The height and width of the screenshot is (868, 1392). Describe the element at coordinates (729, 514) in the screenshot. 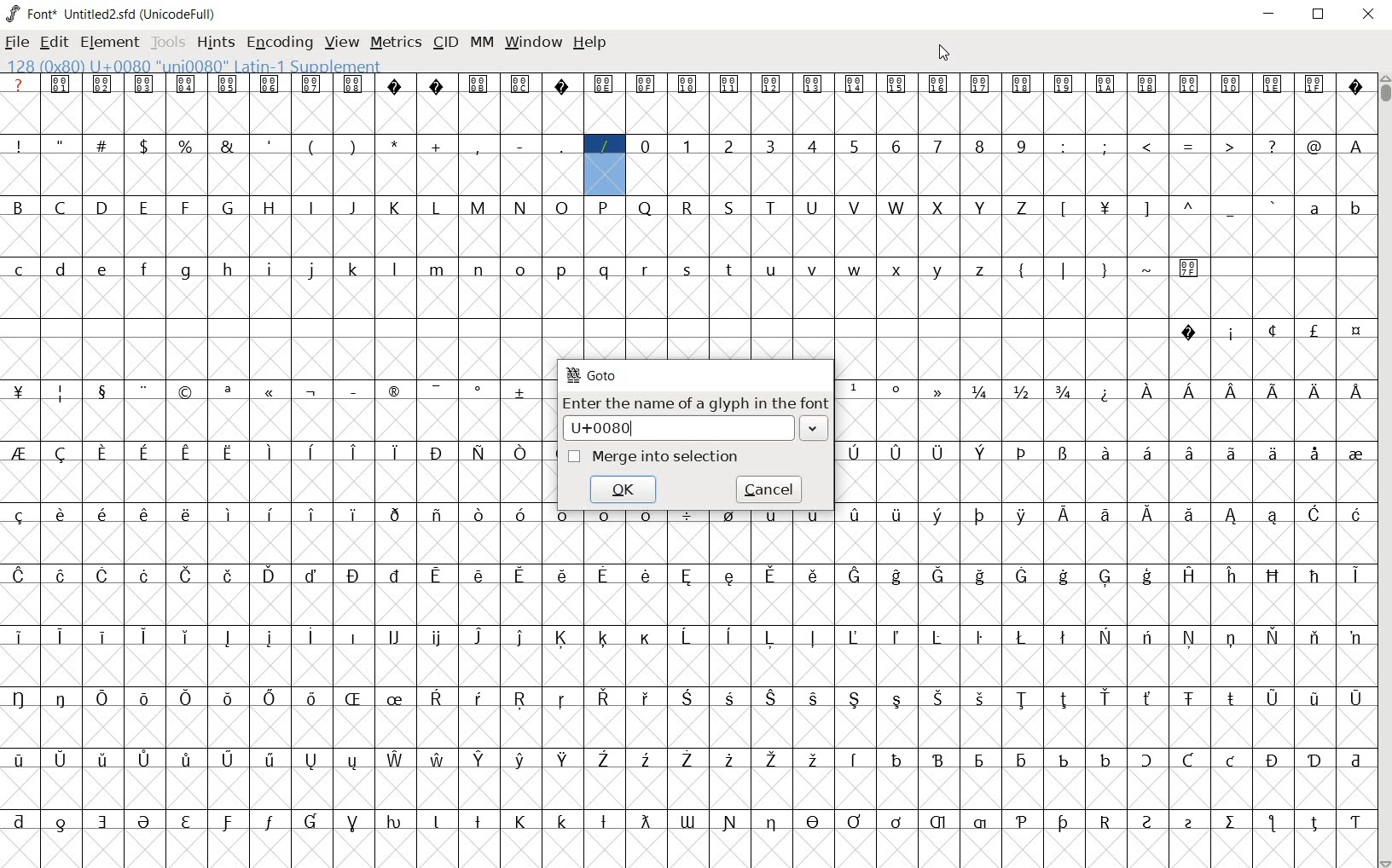

I see `glyph` at that location.